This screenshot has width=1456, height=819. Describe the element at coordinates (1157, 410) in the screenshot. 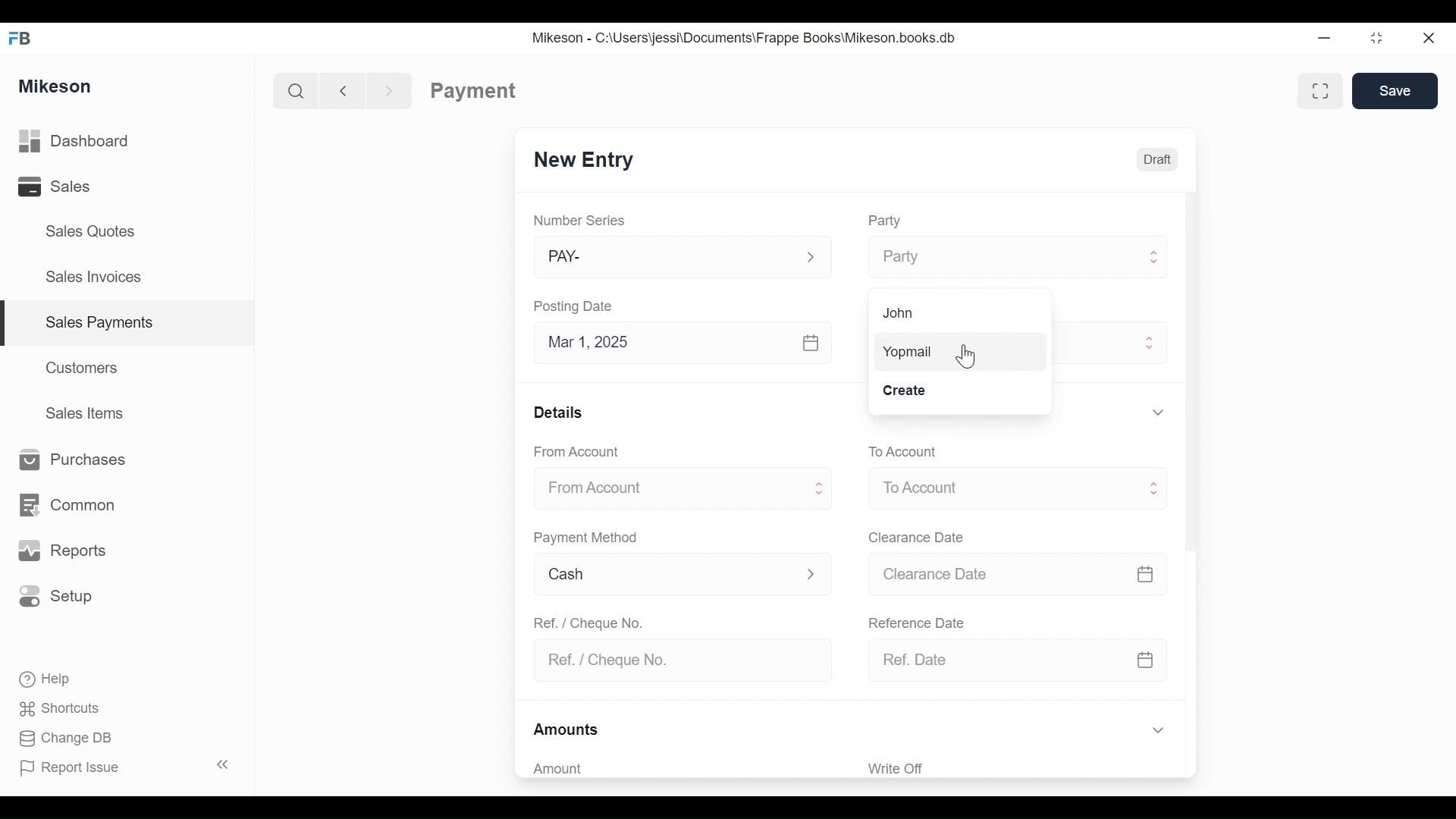

I see `Hide` at that location.